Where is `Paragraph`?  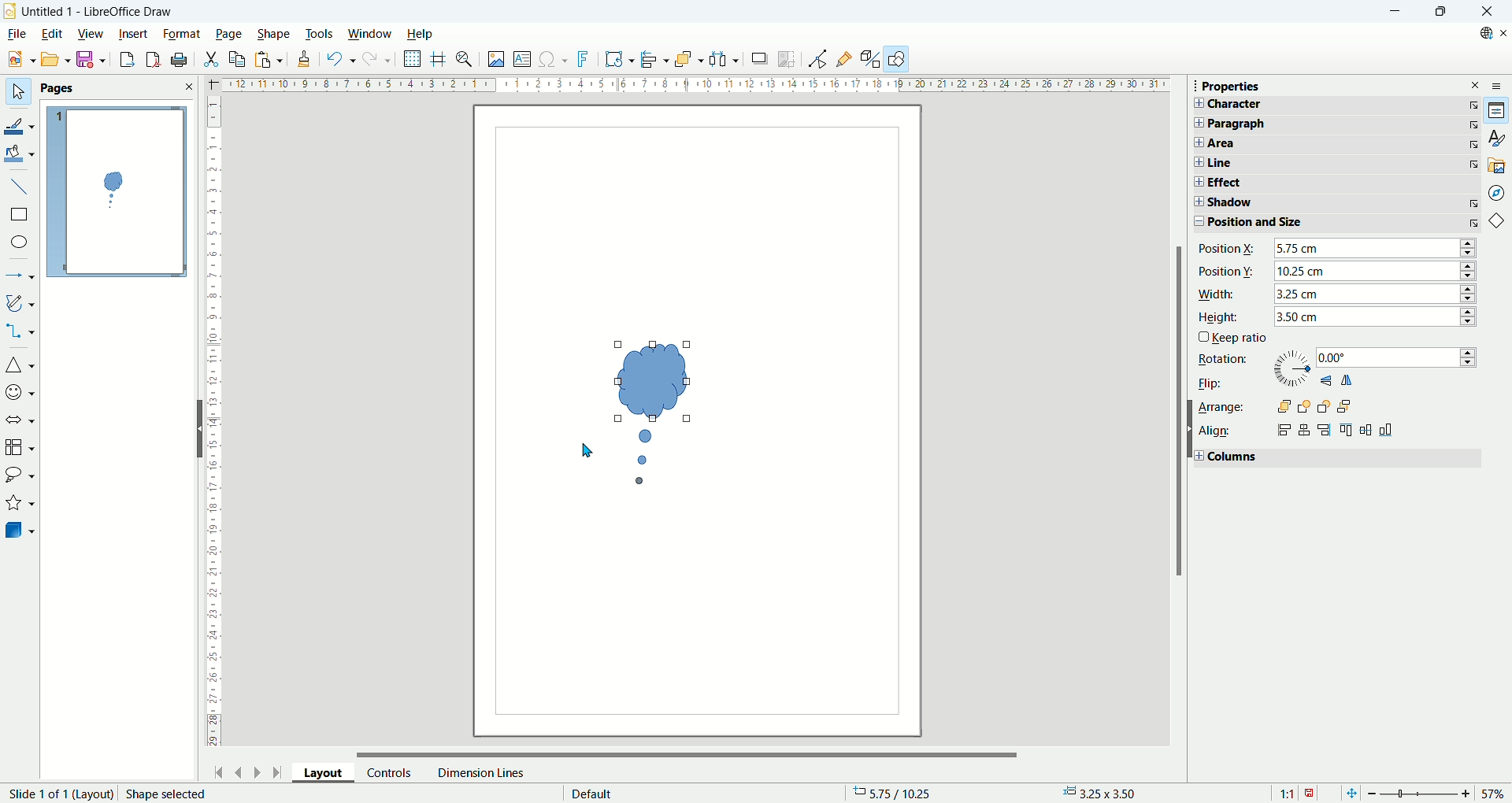 Paragraph is located at coordinates (1279, 124).